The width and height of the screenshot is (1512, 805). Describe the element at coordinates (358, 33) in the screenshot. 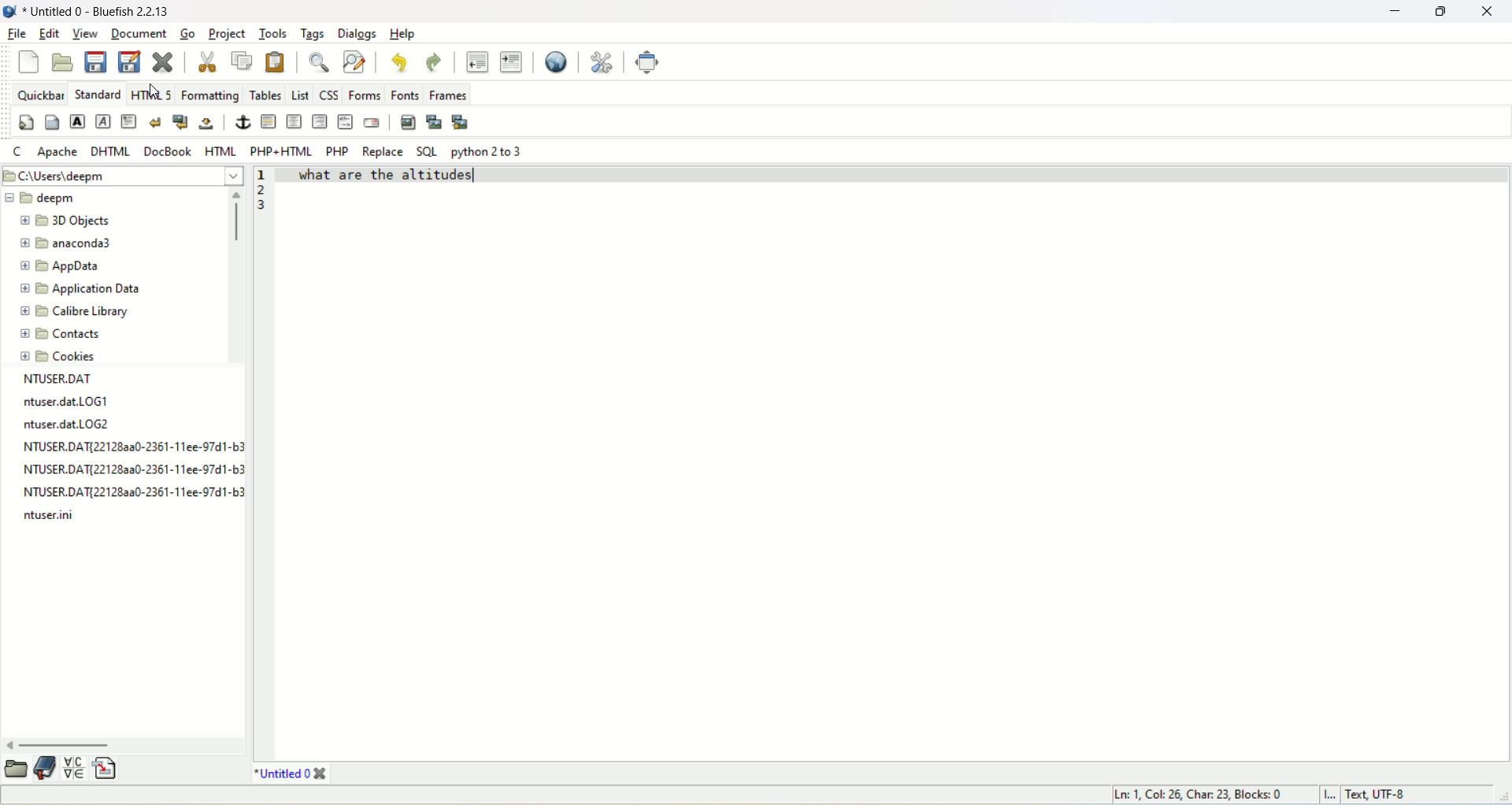

I see `dialogs` at that location.